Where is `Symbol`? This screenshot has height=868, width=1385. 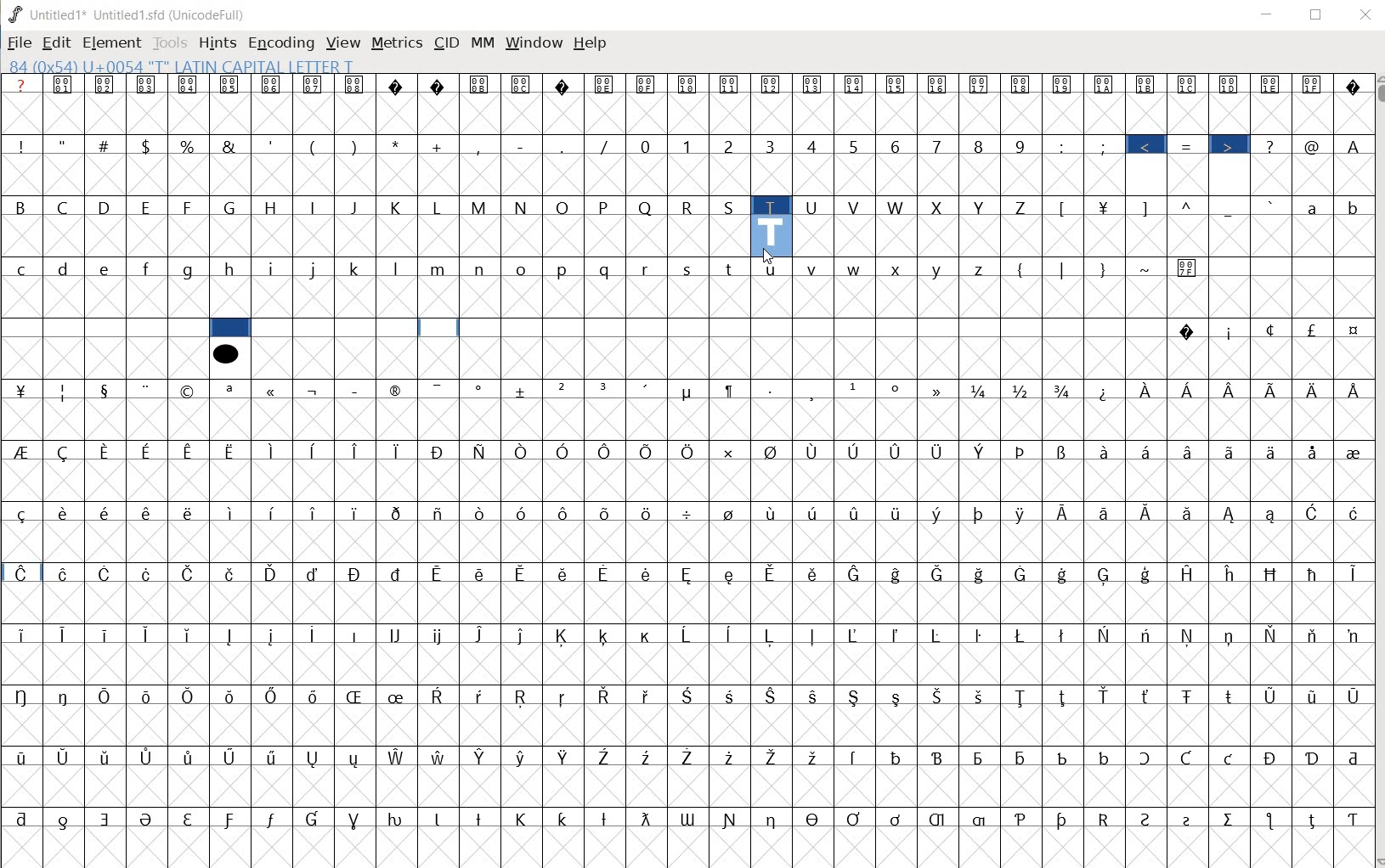 Symbol is located at coordinates (1189, 695).